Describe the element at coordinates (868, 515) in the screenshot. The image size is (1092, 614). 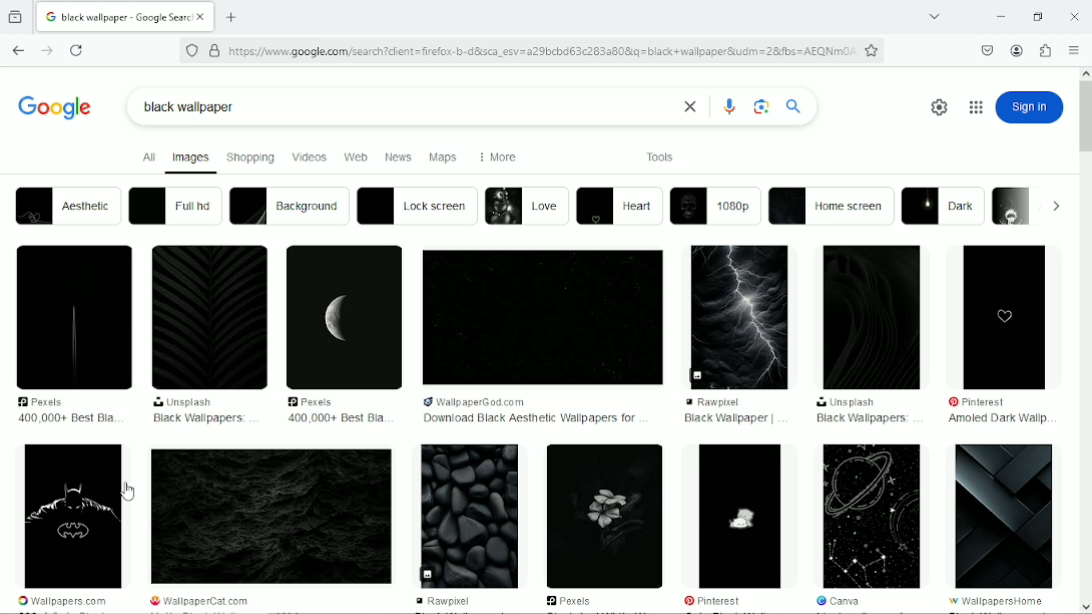
I see `black wallpaper image` at that location.